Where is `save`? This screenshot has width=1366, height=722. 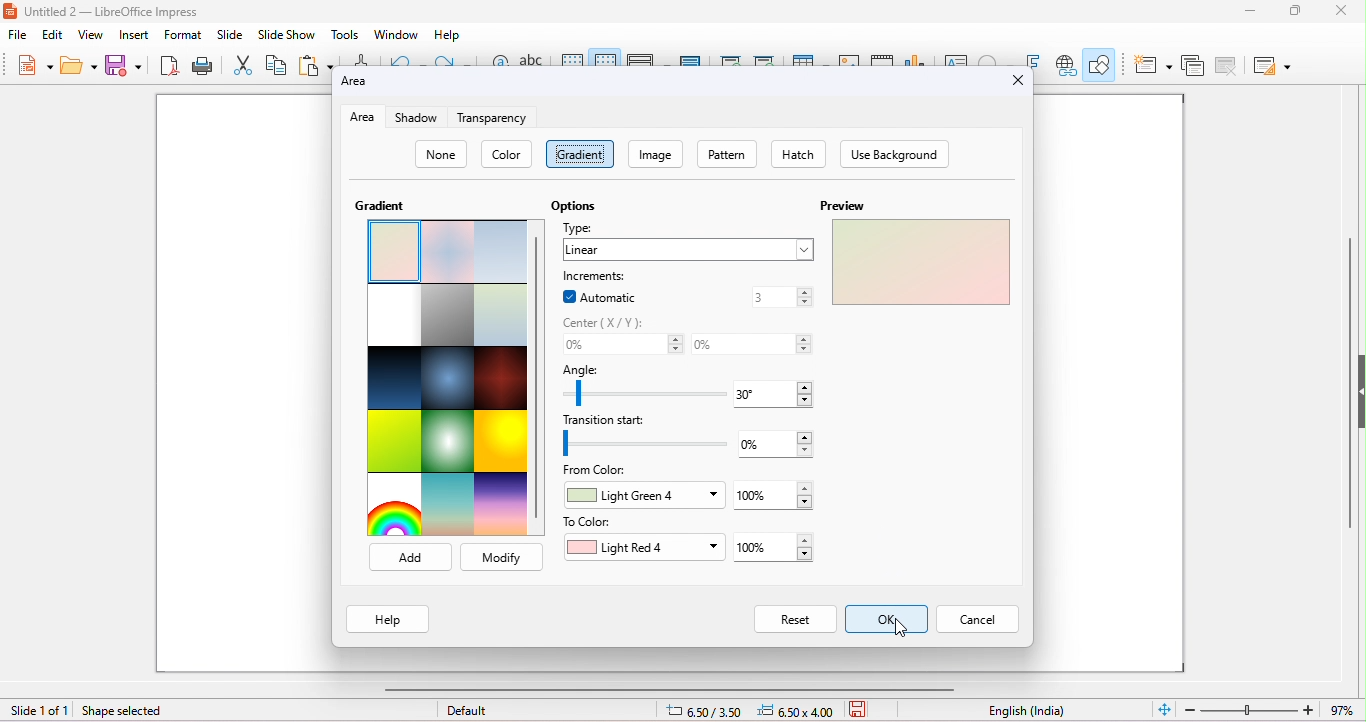 save is located at coordinates (862, 708).